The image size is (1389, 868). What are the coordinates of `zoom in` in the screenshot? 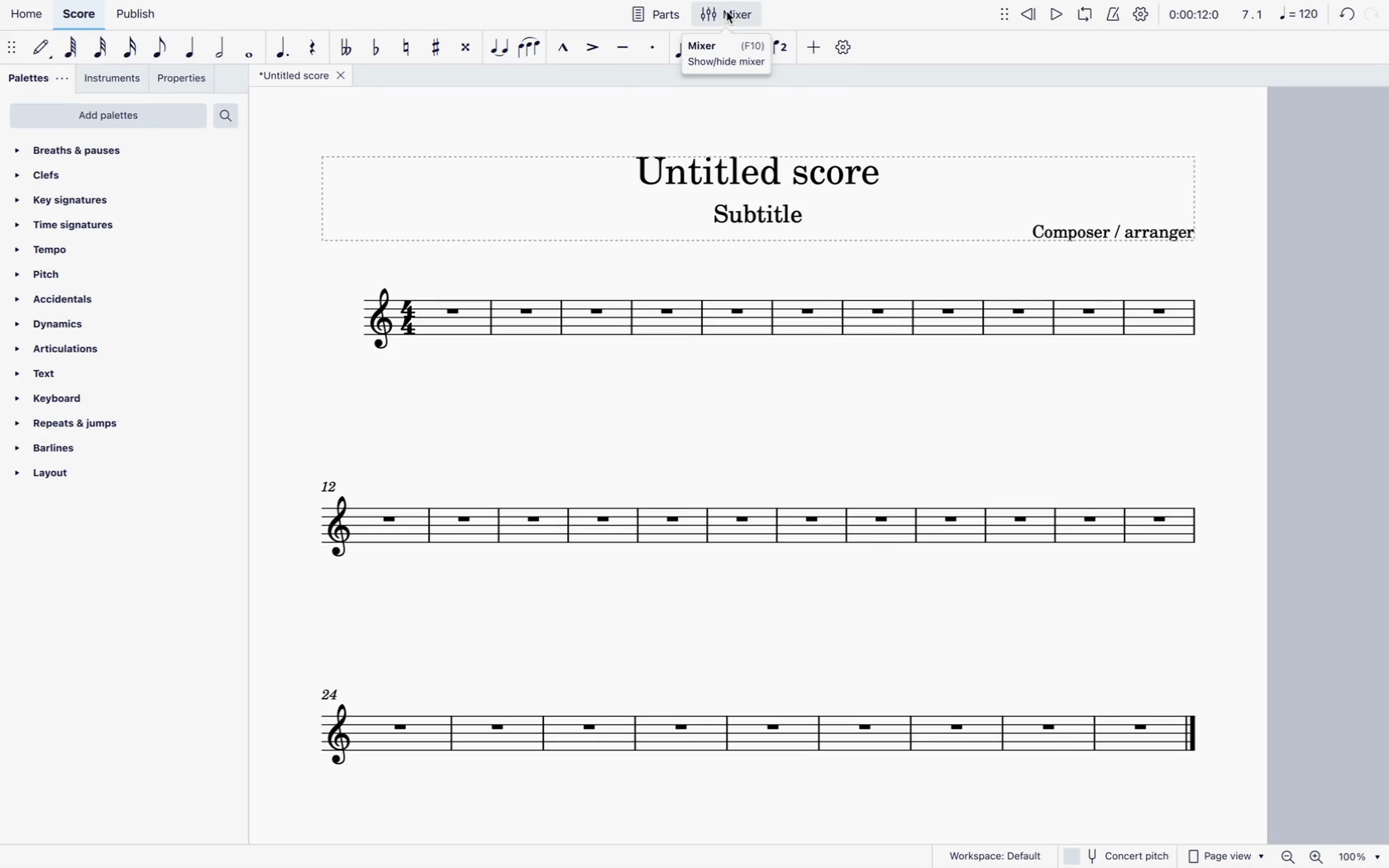 It's located at (1316, 856).